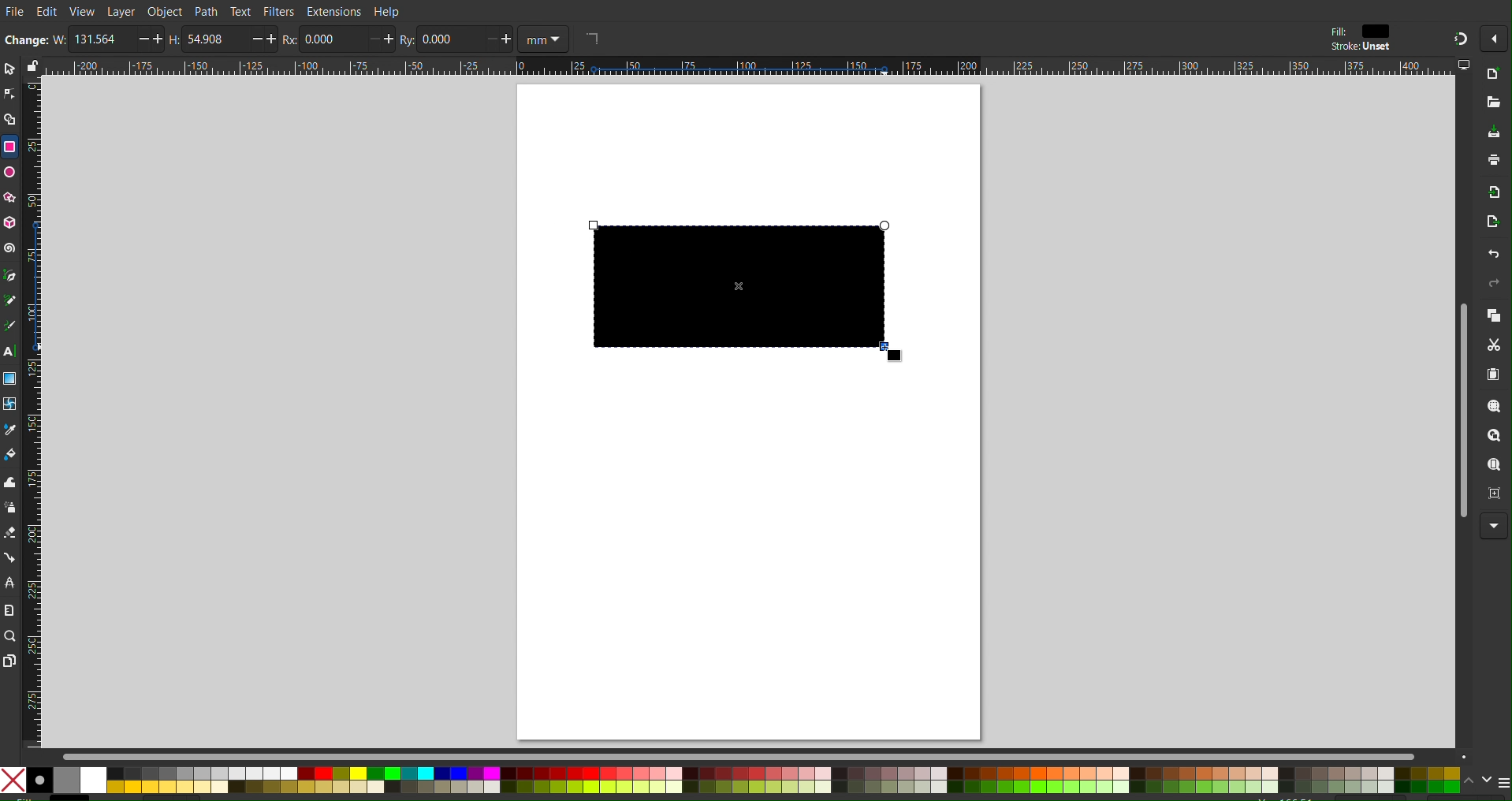 This screenshot has width=1512, height=801. I want to click on H, so click(173, 39).